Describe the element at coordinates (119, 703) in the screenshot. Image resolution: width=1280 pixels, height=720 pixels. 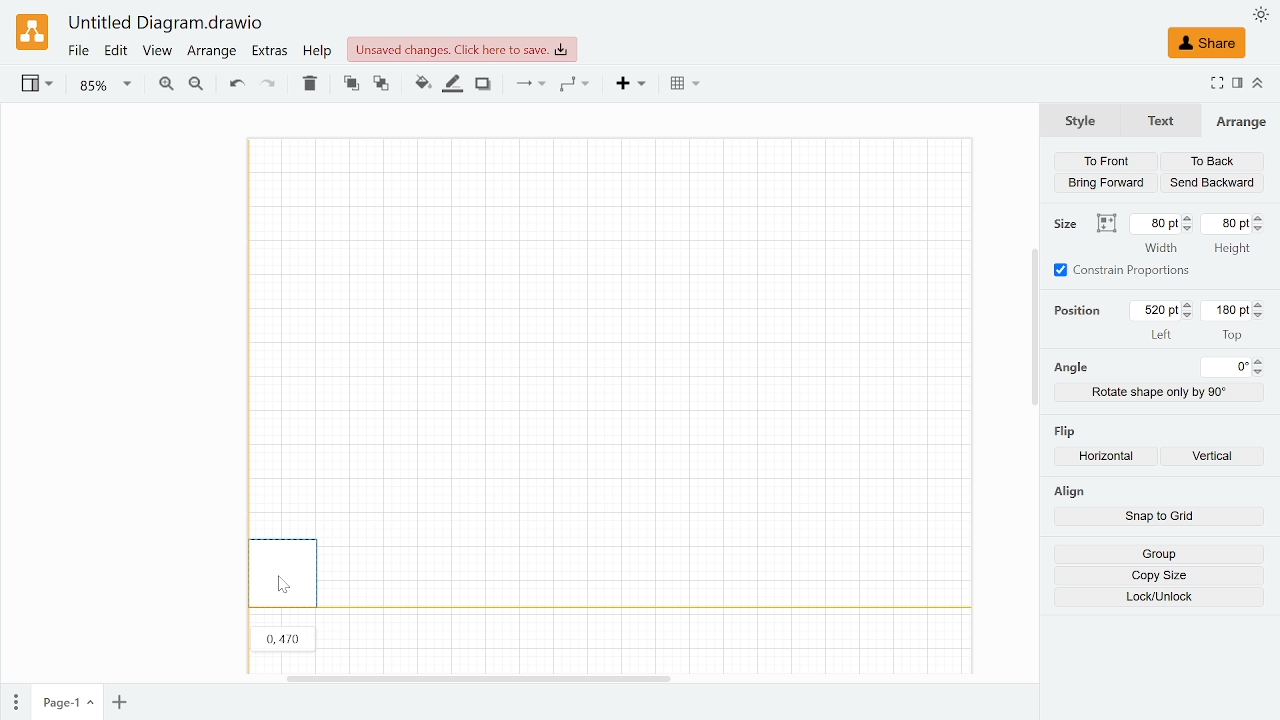
I see `Add page` at that location.